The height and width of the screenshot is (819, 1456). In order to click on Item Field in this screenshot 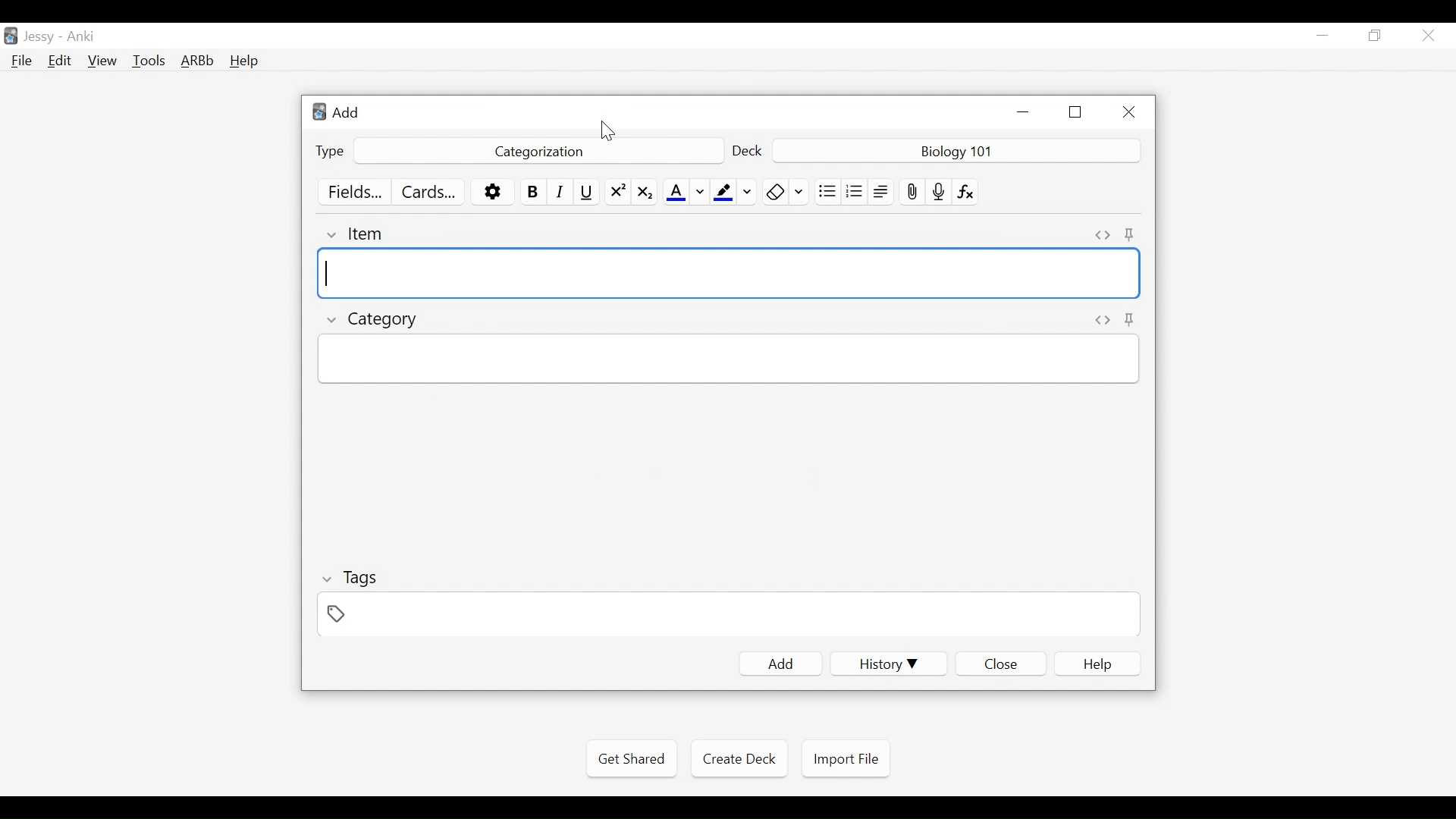, I will do `click(726, 272)`.